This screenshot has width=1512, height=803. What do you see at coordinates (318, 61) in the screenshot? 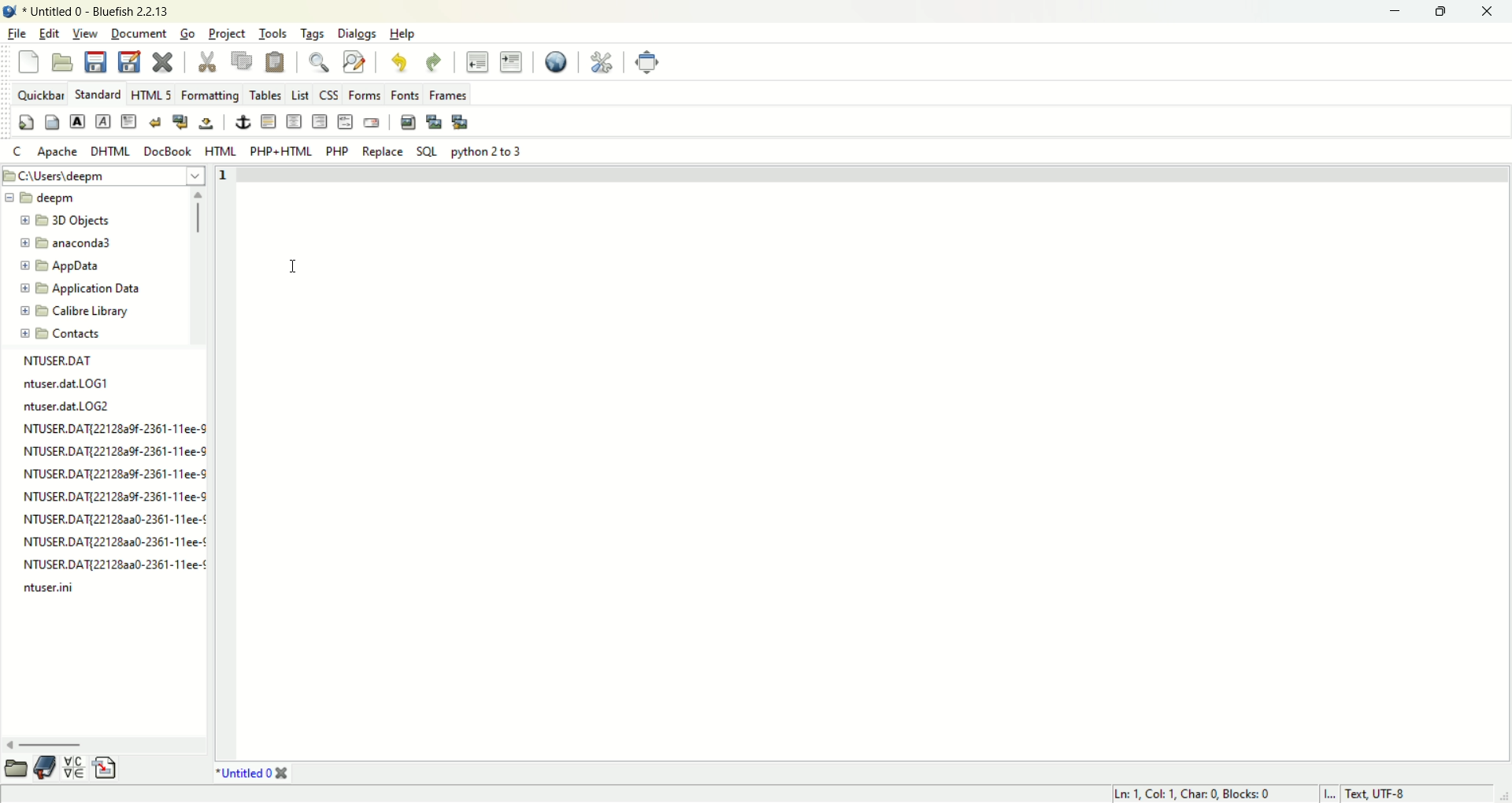
I see `find` at bounding box center [318, 61].